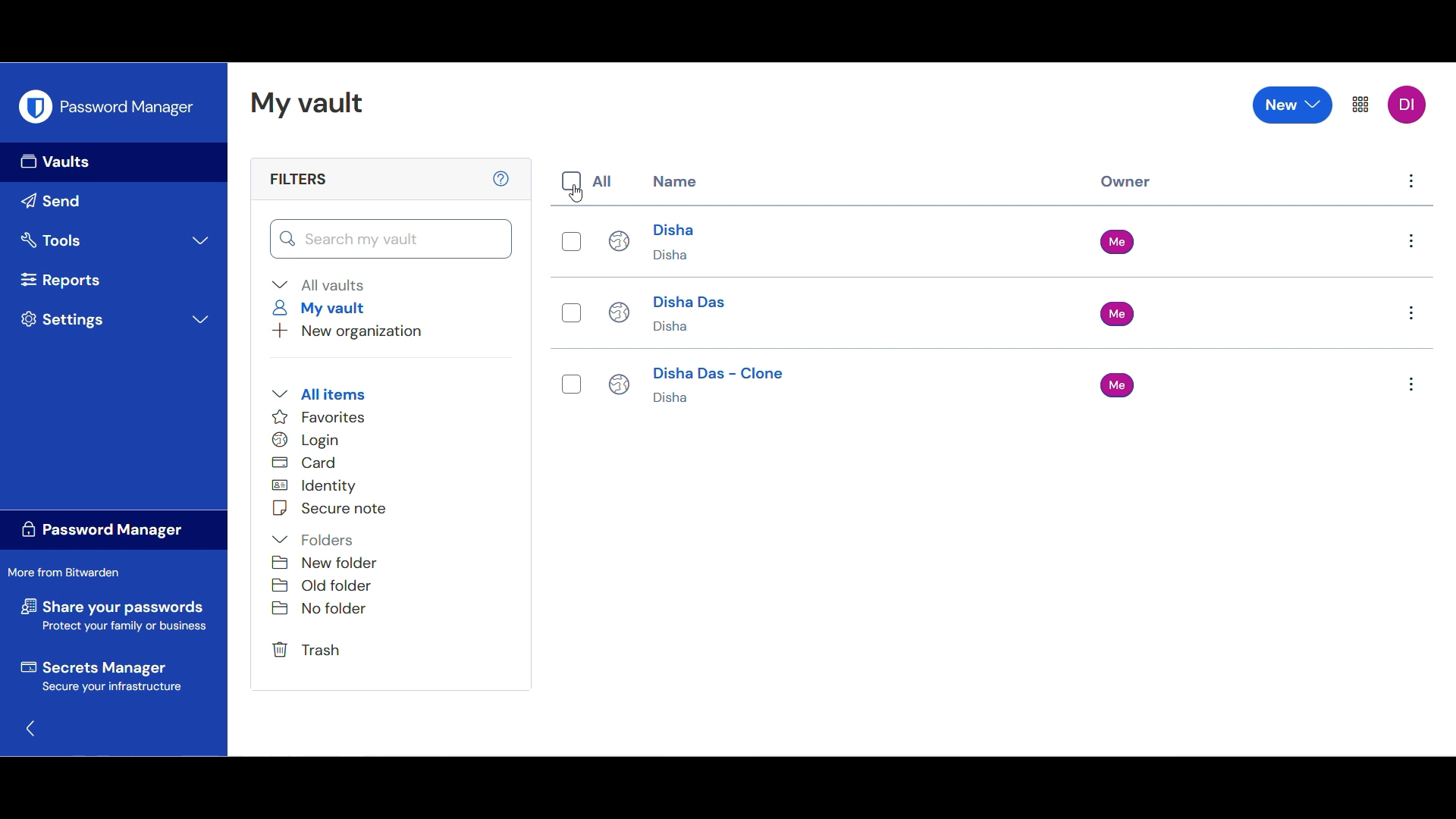 The image size is (1456, 819). Describe the element at coordinates (127, 105) in the screenshot. I see `Password manager` at that location.